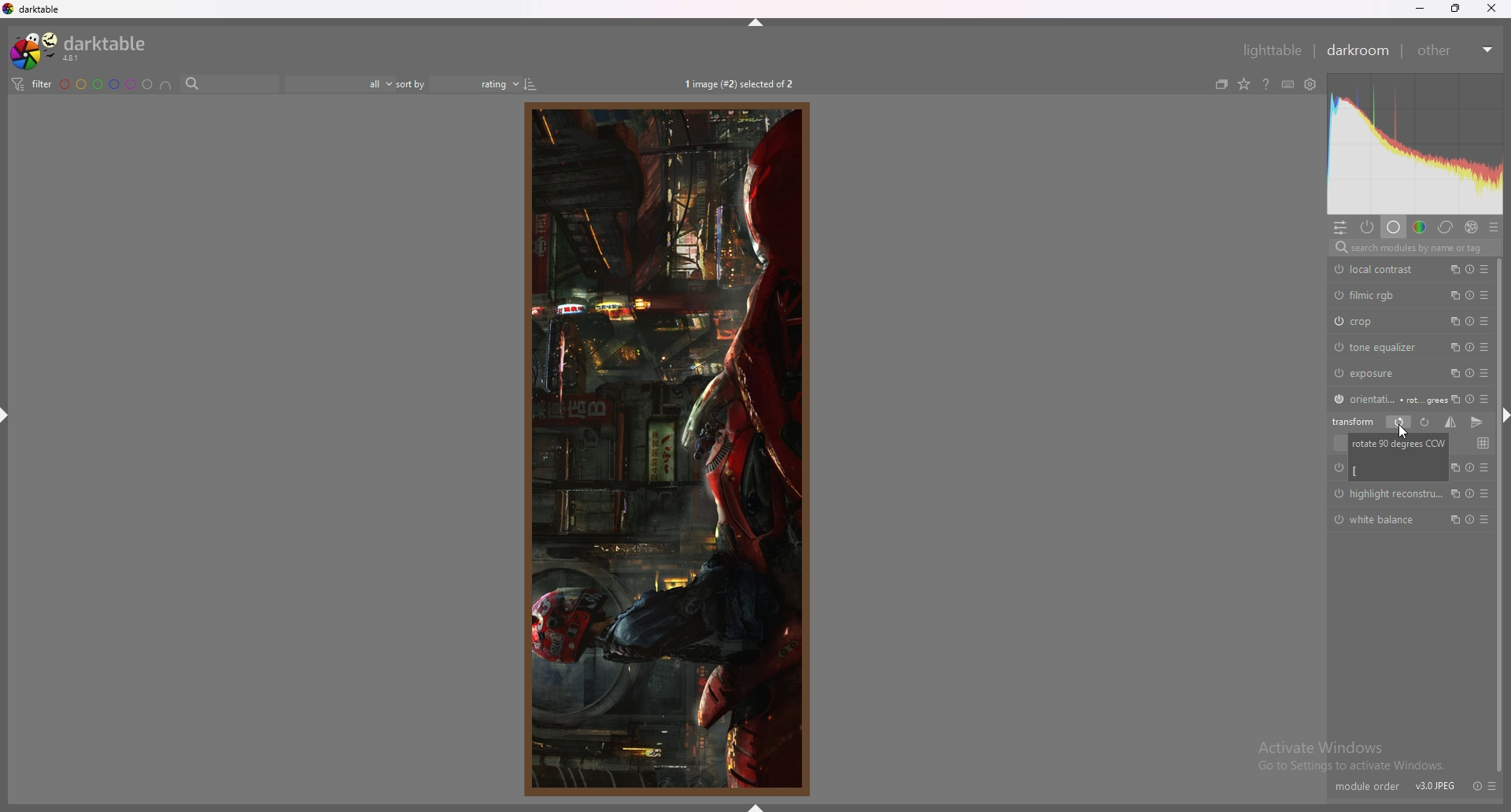  I want to click on base, so click(1393, 228).